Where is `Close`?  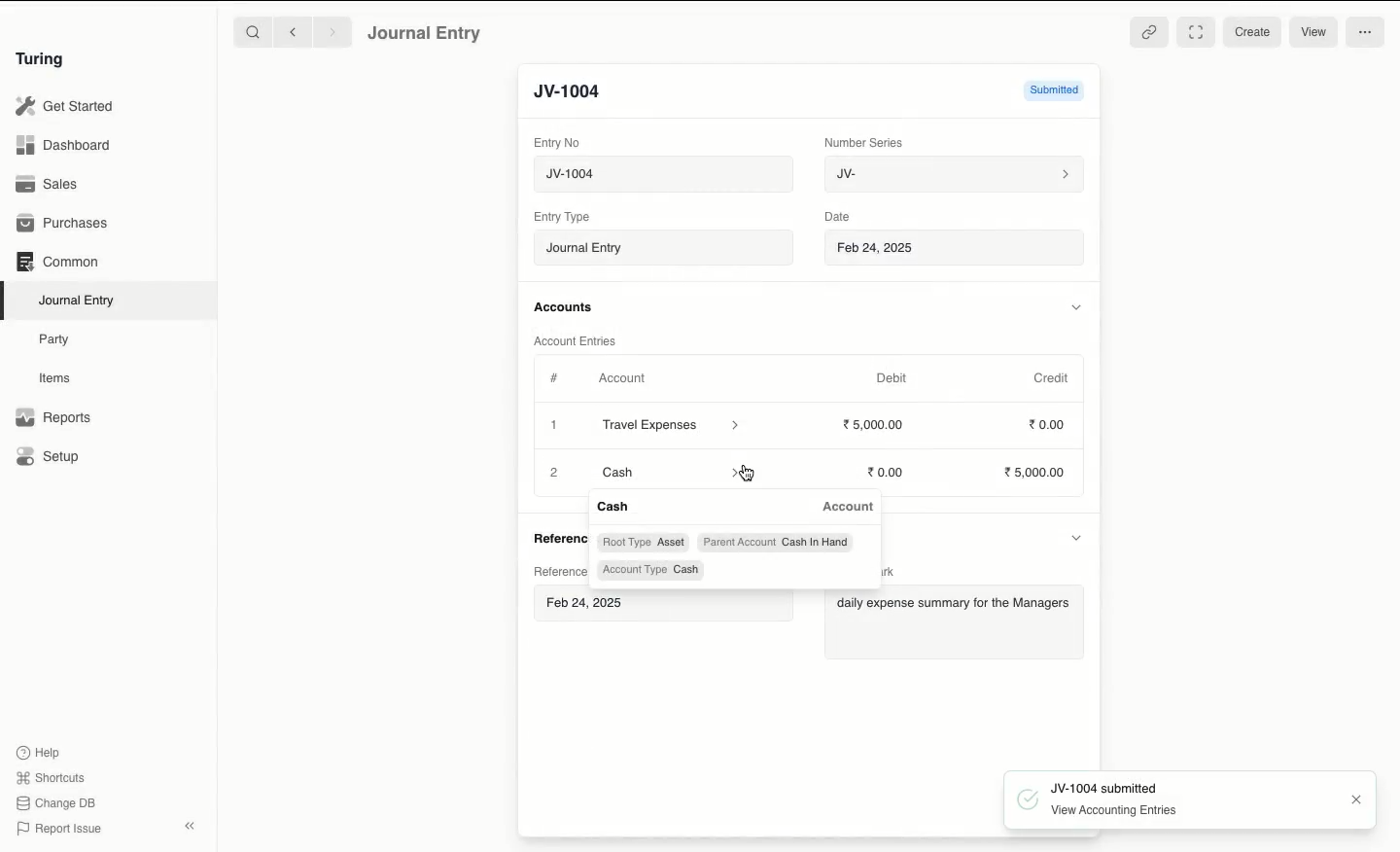 Close is located at coordinates (1355, 799).